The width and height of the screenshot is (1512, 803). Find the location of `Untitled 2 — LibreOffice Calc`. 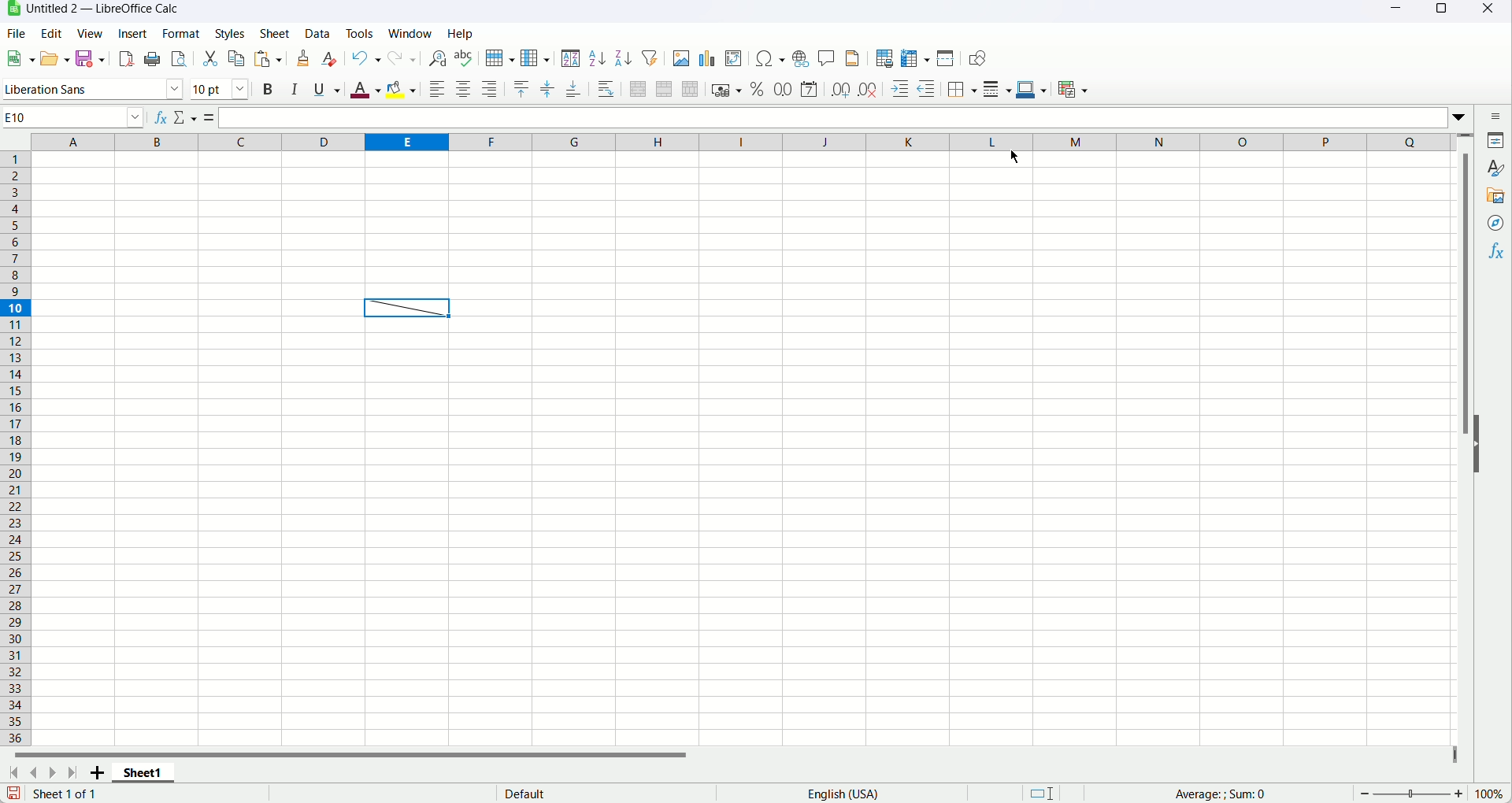

Untitled 2 — LibreOffice Calc is located at coordinates (103, 9).